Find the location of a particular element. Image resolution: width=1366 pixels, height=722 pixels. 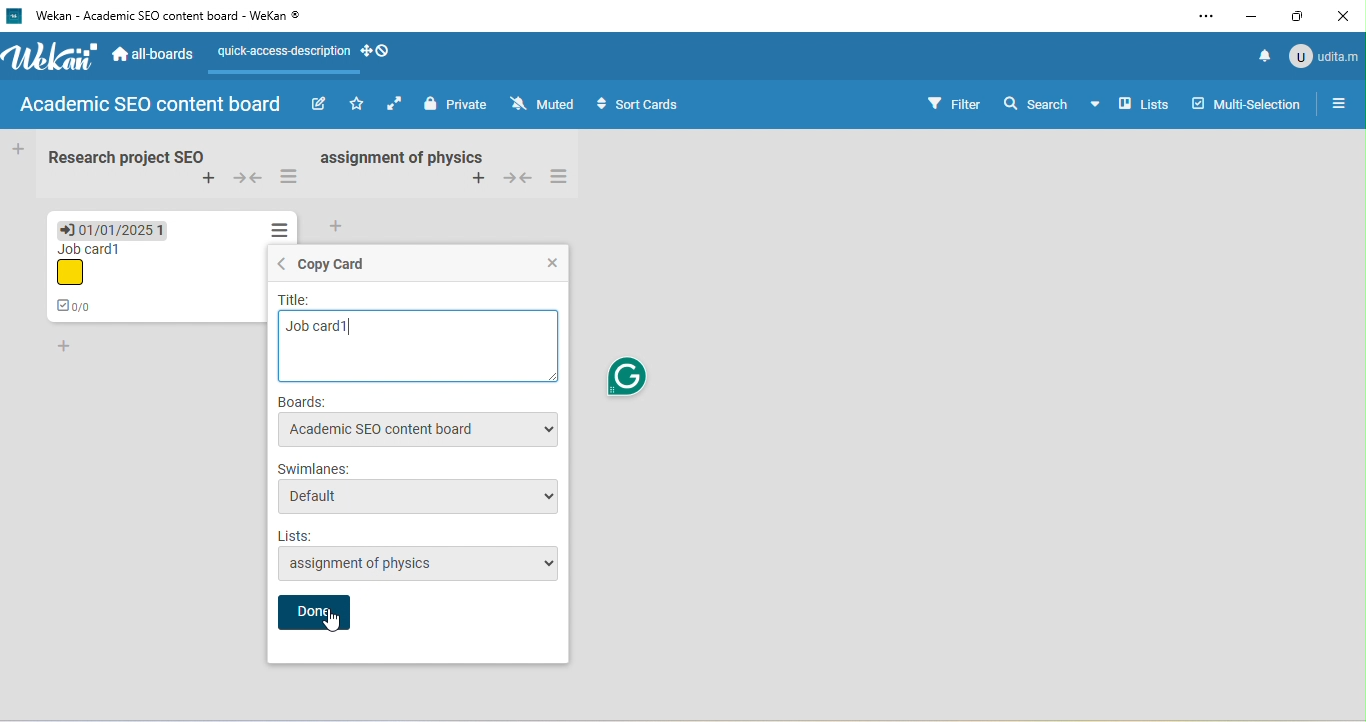

all boards is located at coordinates (155, 57).